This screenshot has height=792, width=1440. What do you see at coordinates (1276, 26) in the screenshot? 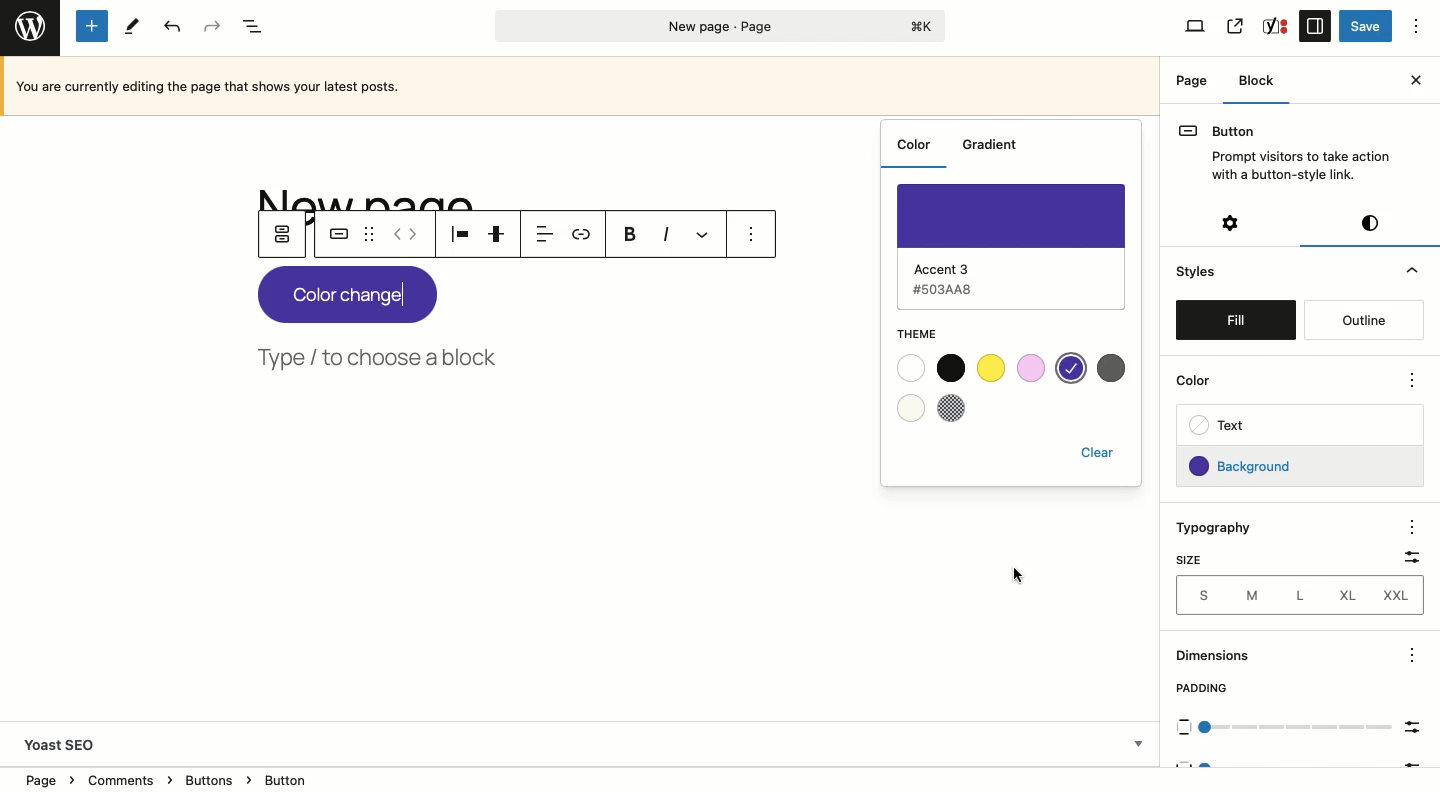
I see `SEO` at bounding box center [1276, 26].